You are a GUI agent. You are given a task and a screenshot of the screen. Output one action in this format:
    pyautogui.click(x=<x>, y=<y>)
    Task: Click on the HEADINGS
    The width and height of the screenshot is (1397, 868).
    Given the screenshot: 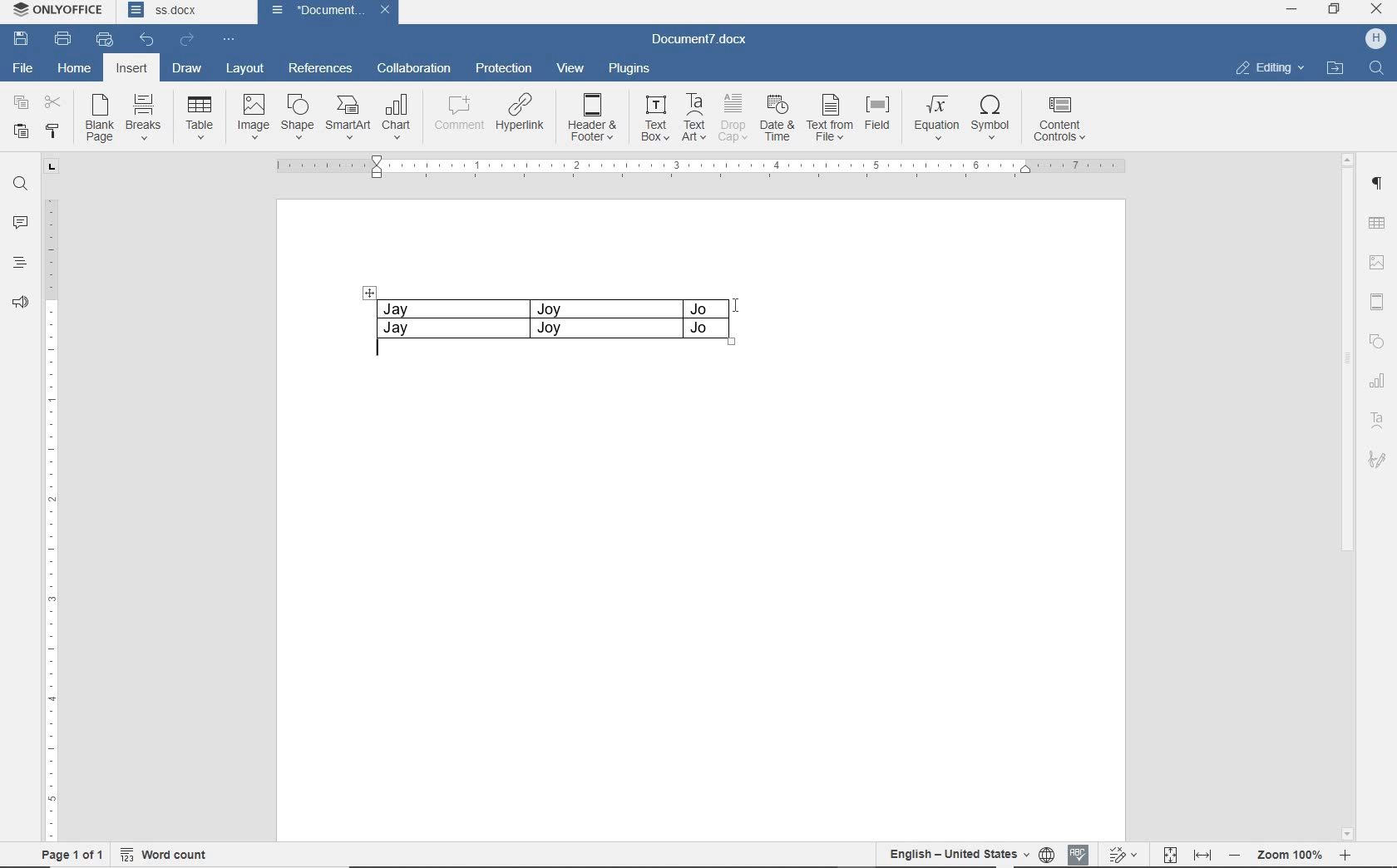 What is the action you would take?
    pyautogui.click(x=19, y=264)
    